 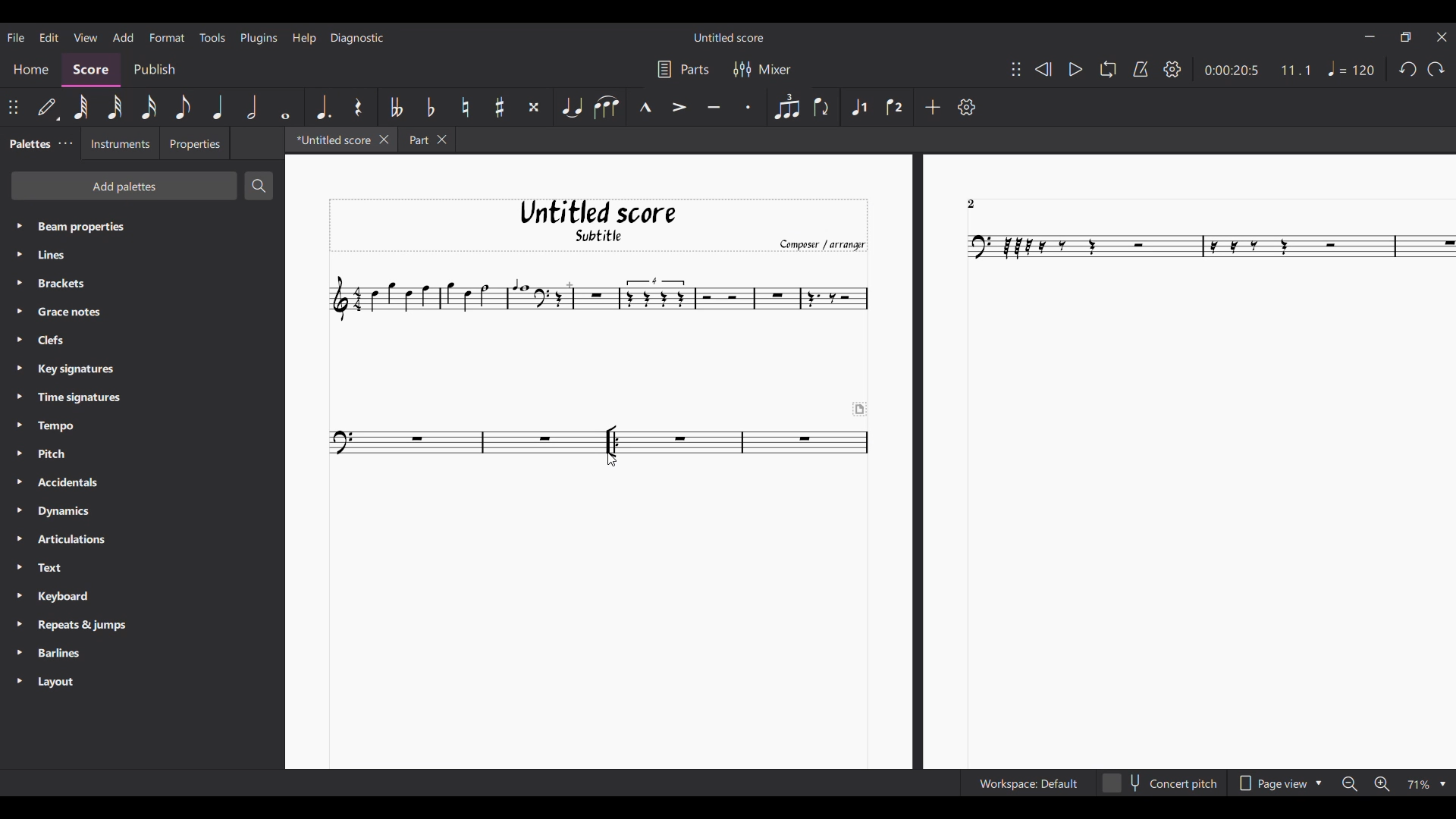 What do you see at coordinates (154, 70) in the screenshot?
I see `Publish` at bounding box center [154, 70].